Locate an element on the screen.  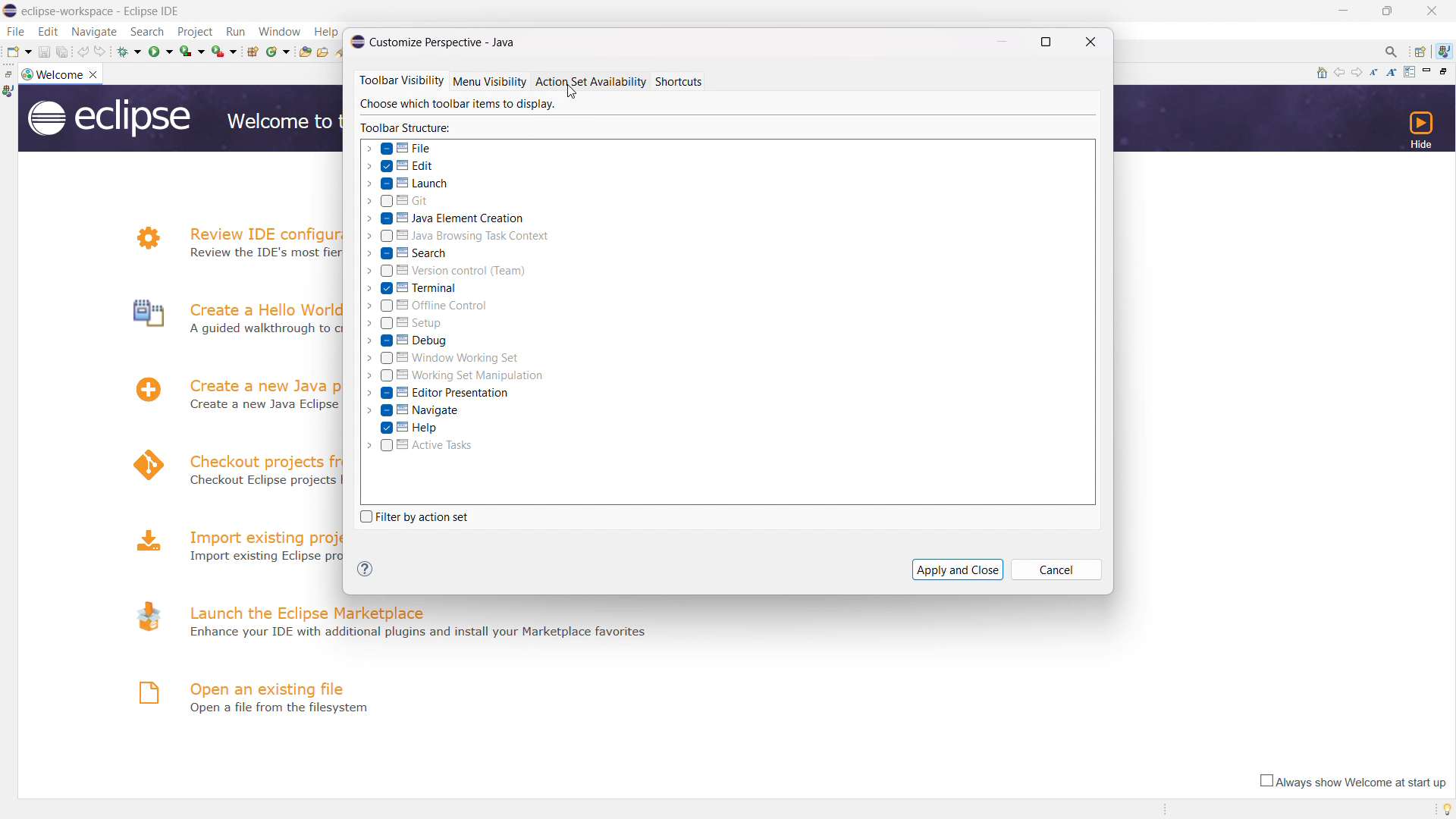
file is located at coordinates (16, 31).